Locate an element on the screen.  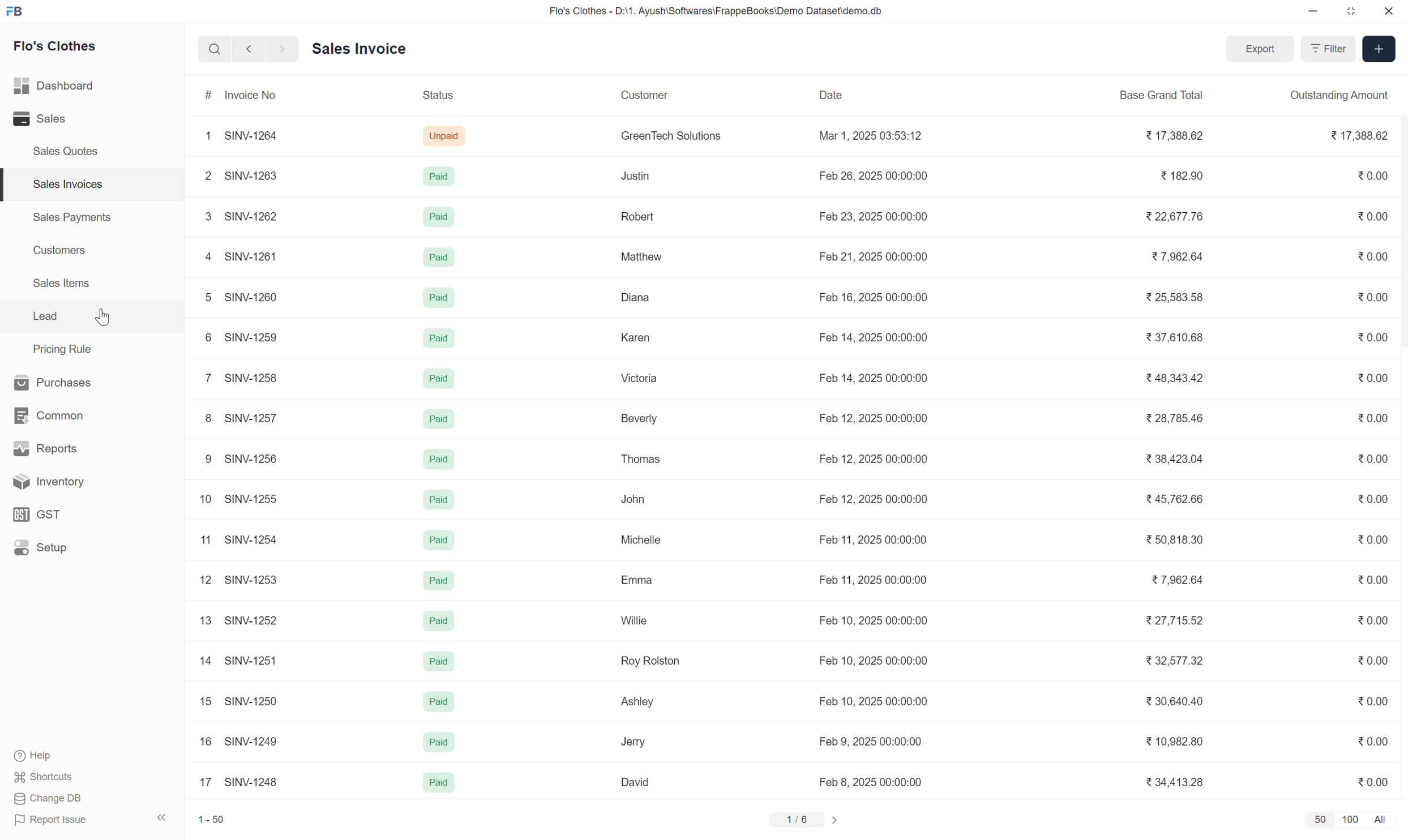
Customers is located at coordinates (66, 251).